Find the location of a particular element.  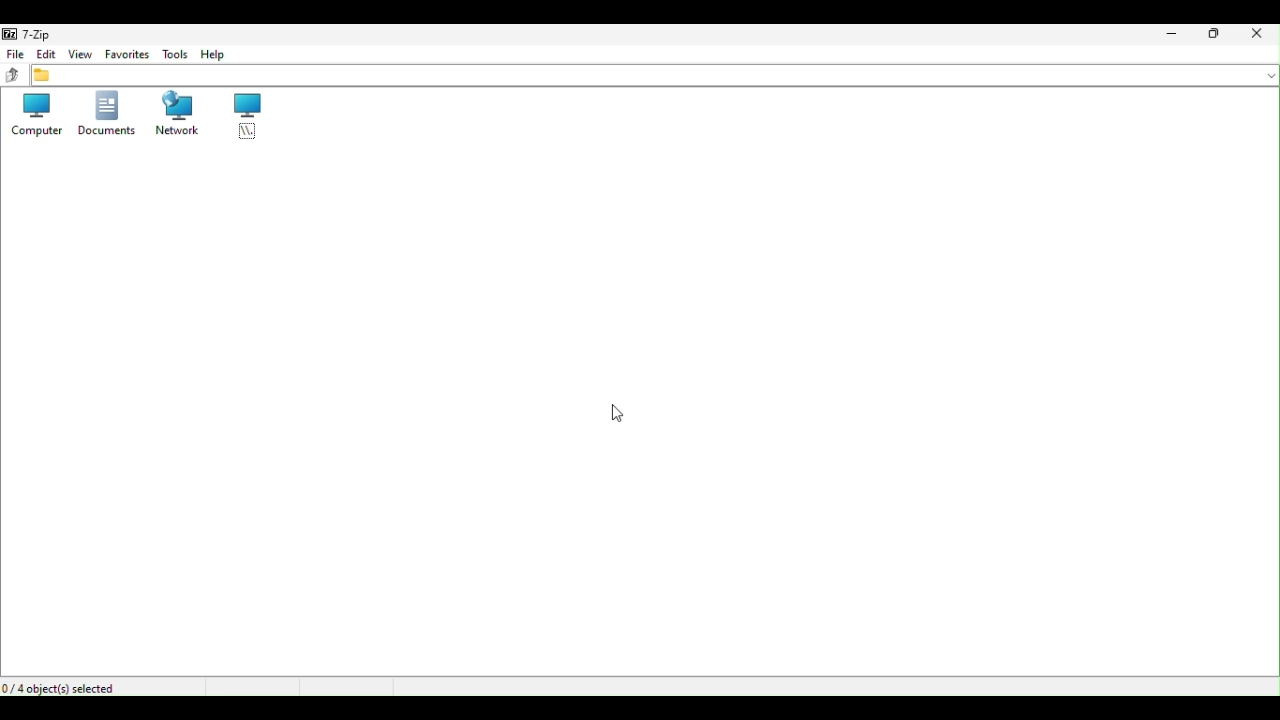

Minimise is located at coordinates (1171, 35).